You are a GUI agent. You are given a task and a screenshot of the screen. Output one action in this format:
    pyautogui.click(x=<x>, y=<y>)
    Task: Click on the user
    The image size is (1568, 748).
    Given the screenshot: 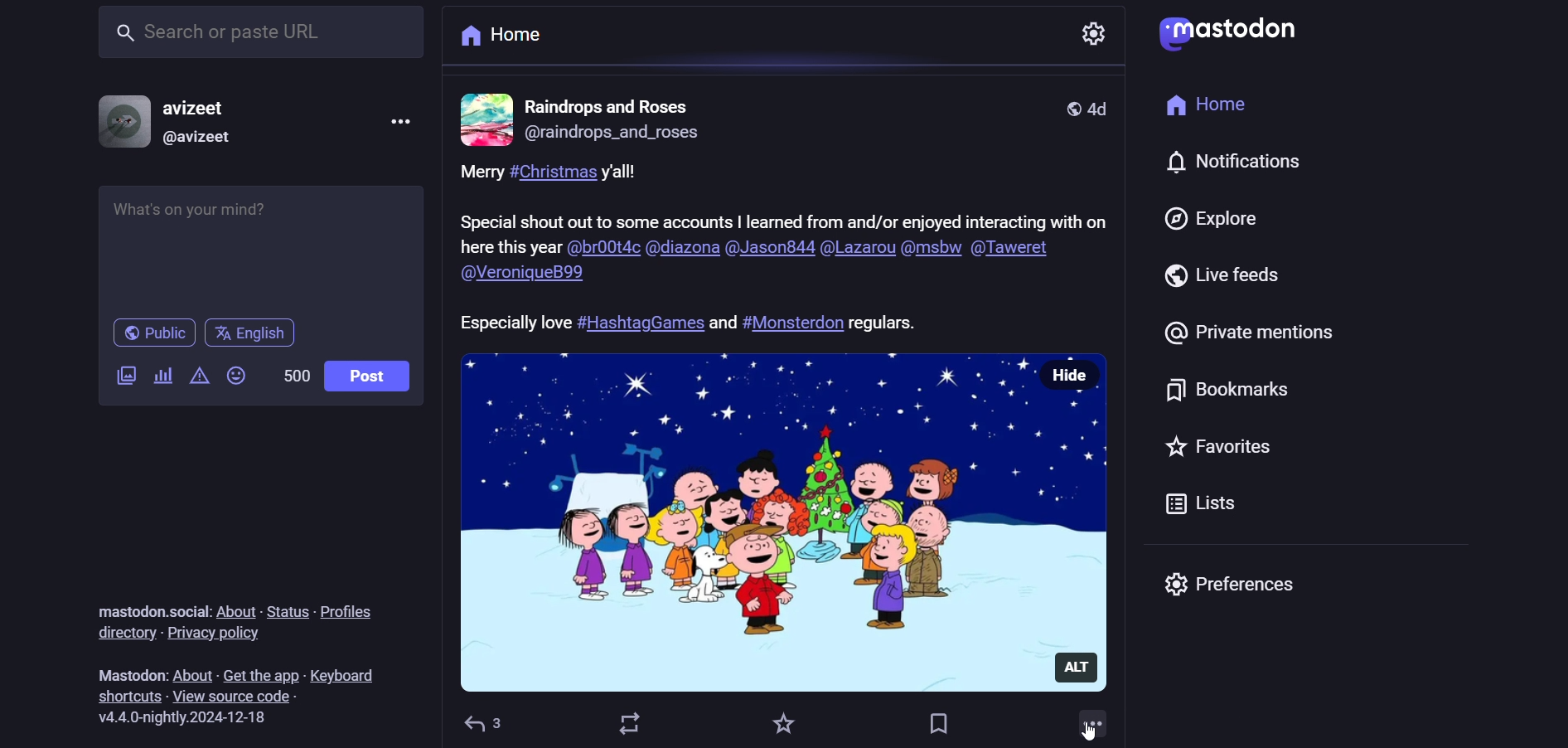 What is the action you would take?
    pyautogui.click(x=611, y=104)
    